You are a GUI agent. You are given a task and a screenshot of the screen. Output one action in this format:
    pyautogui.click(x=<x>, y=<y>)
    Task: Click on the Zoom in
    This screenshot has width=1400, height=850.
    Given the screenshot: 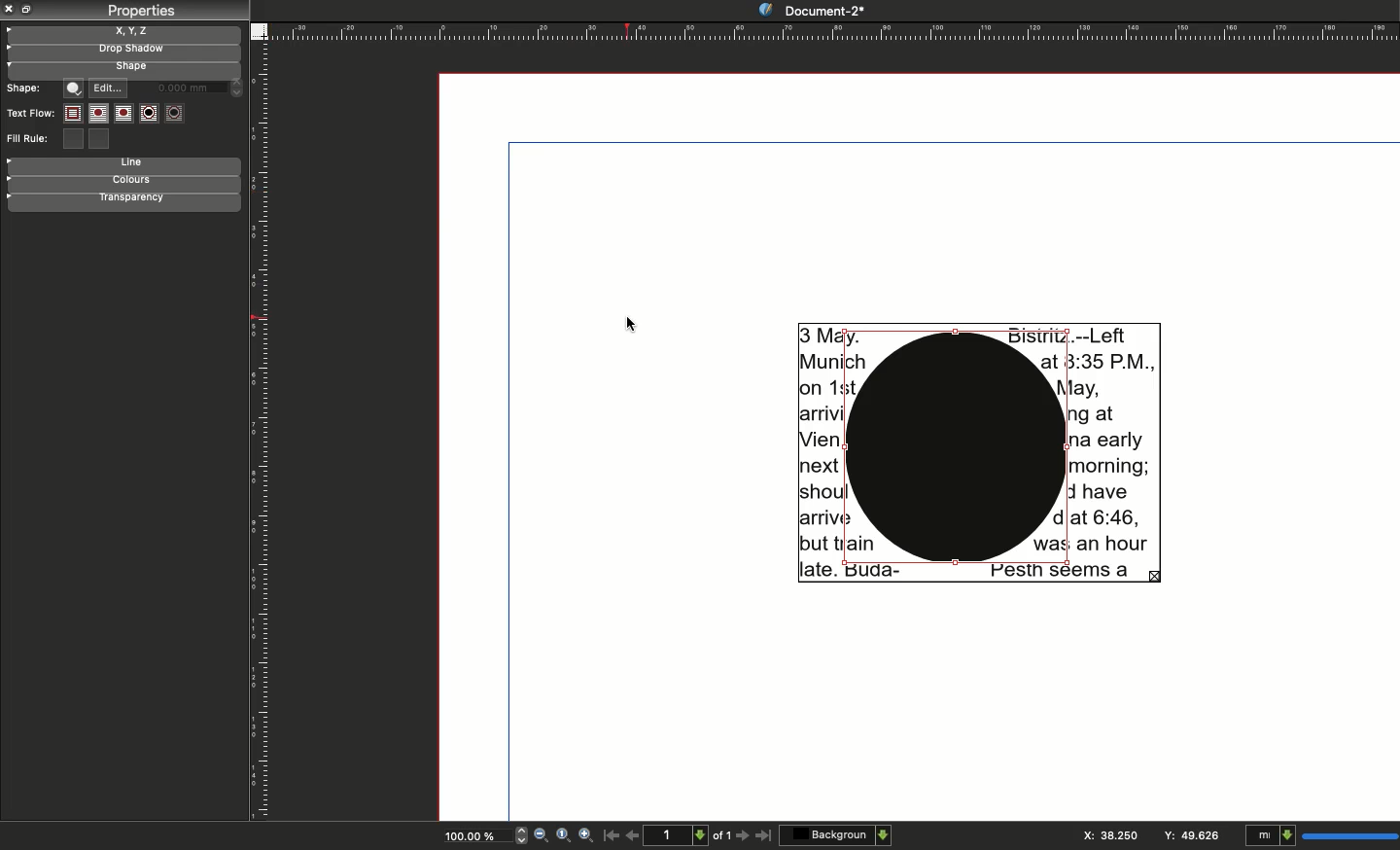 What is the action you would take?
    pyautogui.click(x=583, y=836)
    